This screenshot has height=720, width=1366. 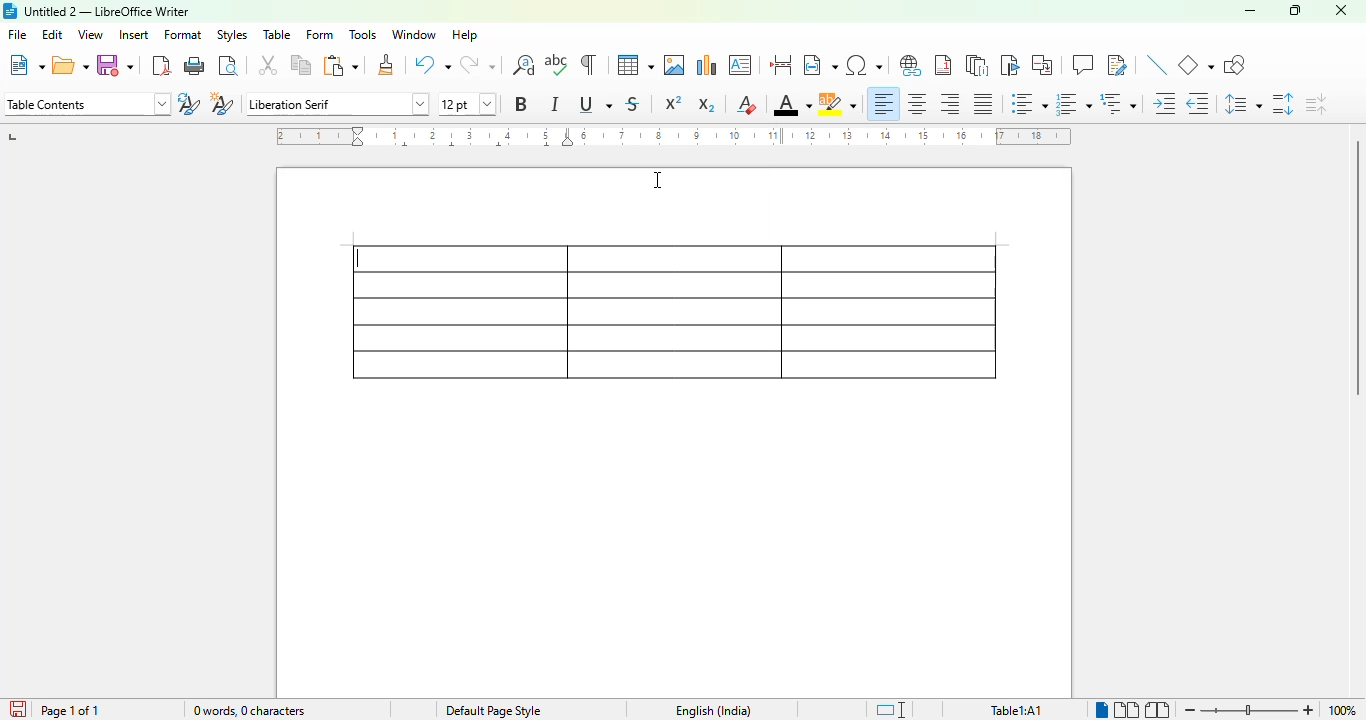 I want to click on vertical scroll bar, so click(x=1354, y=268).